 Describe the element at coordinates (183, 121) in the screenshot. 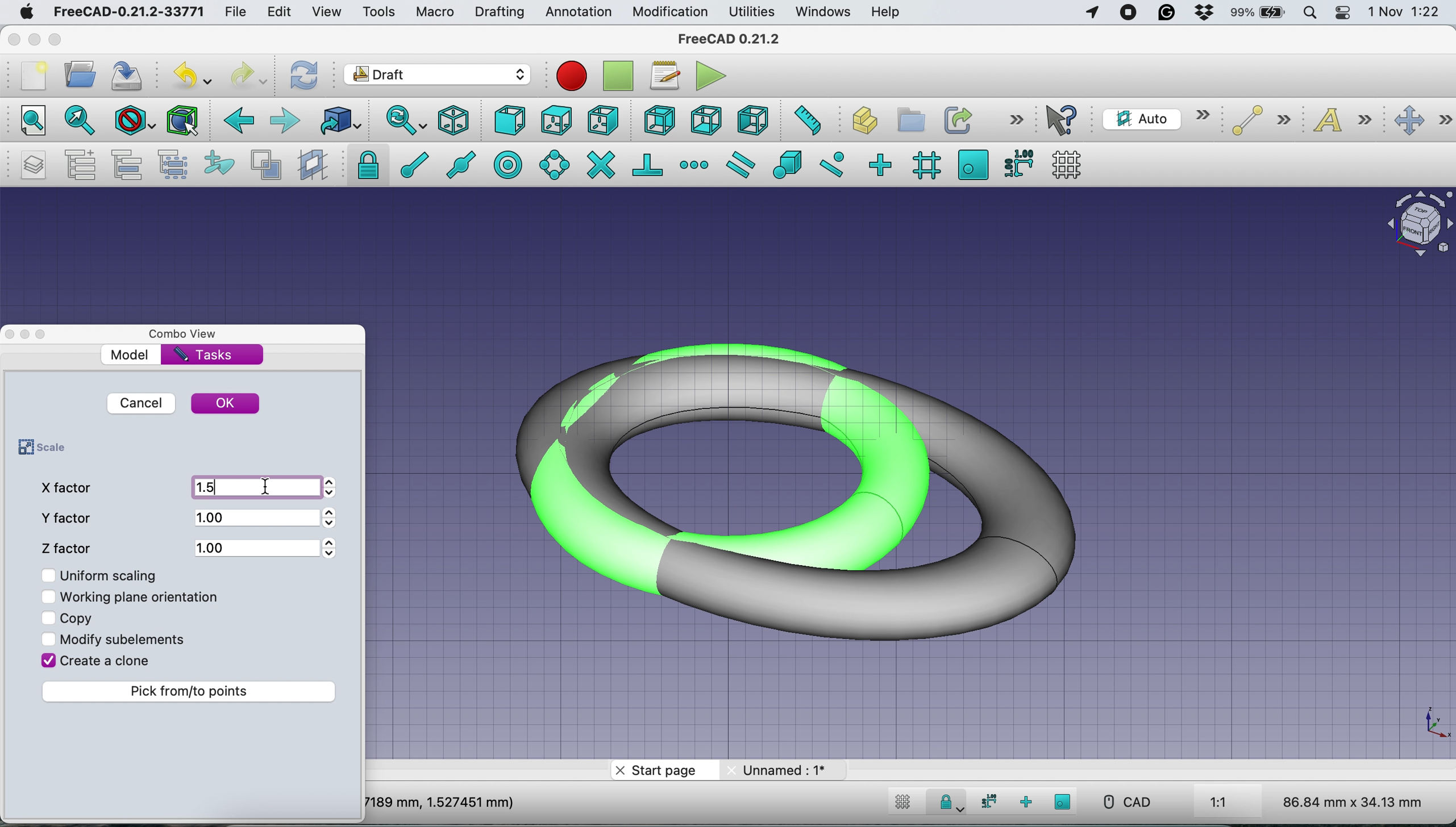

I see `bounding box` at that location.